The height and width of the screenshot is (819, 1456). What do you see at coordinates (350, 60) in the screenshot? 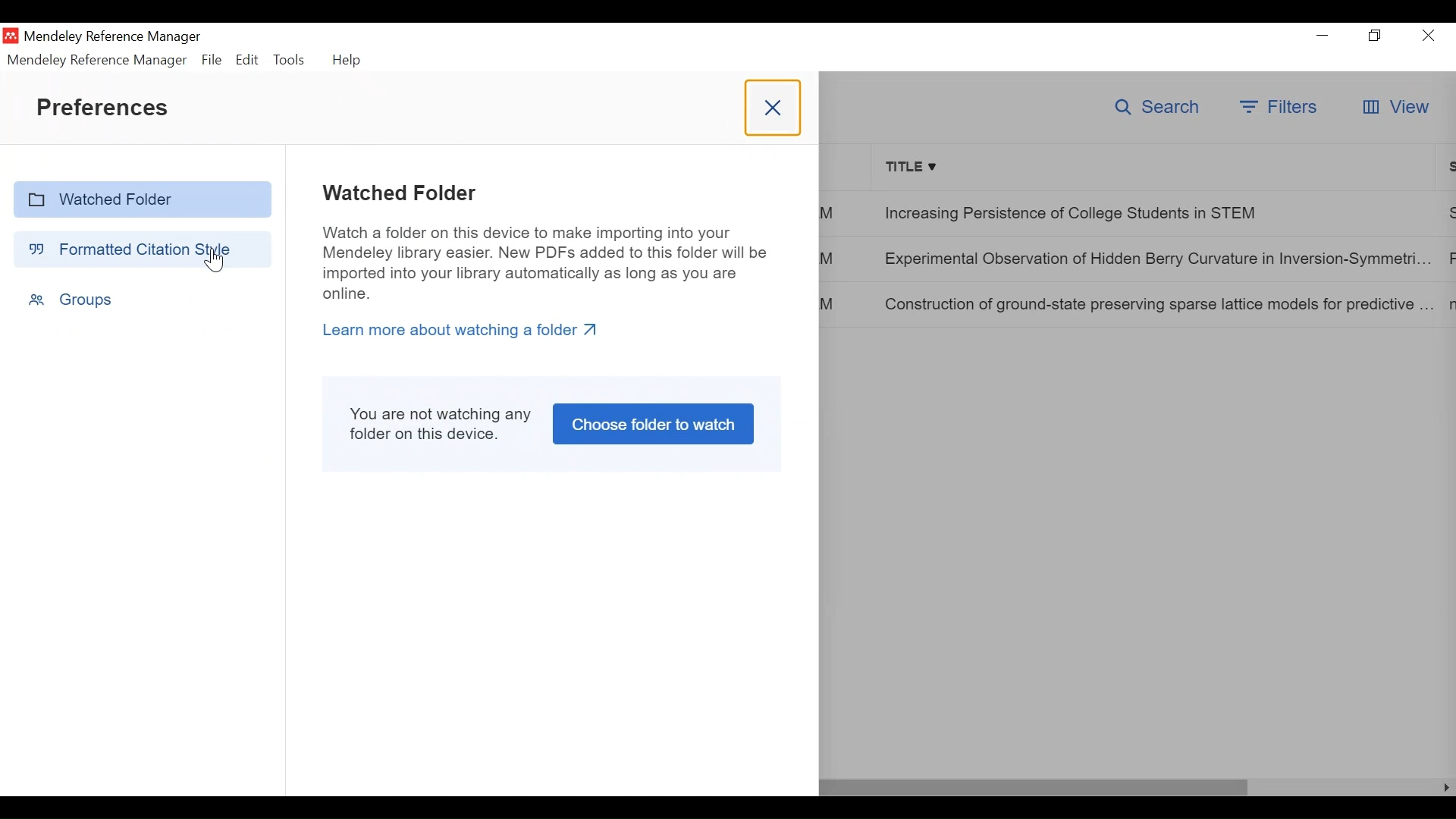
I see `Help` at bounding box center [350, 60].